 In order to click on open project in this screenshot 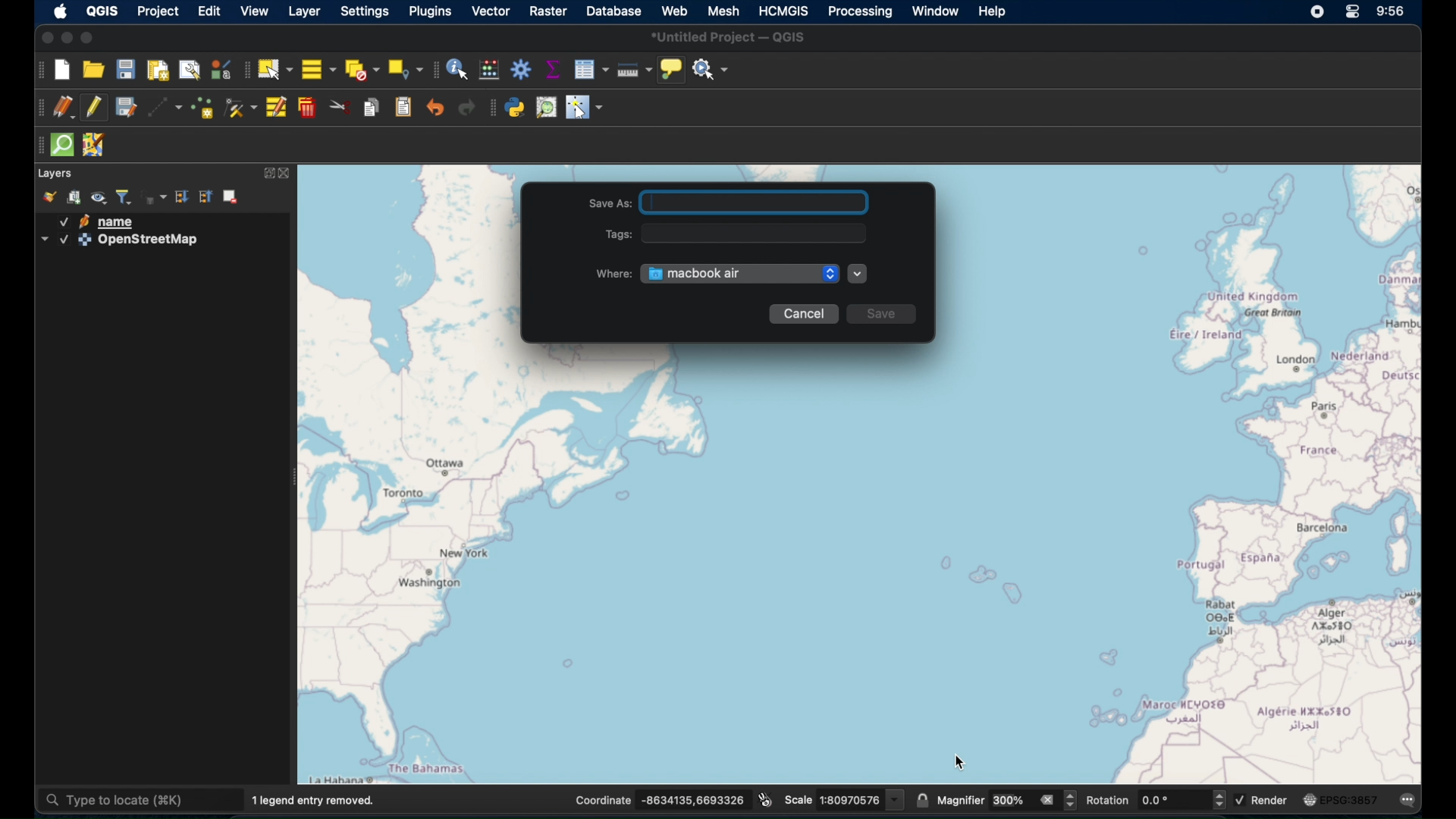, I will do `click(93, 71)`.